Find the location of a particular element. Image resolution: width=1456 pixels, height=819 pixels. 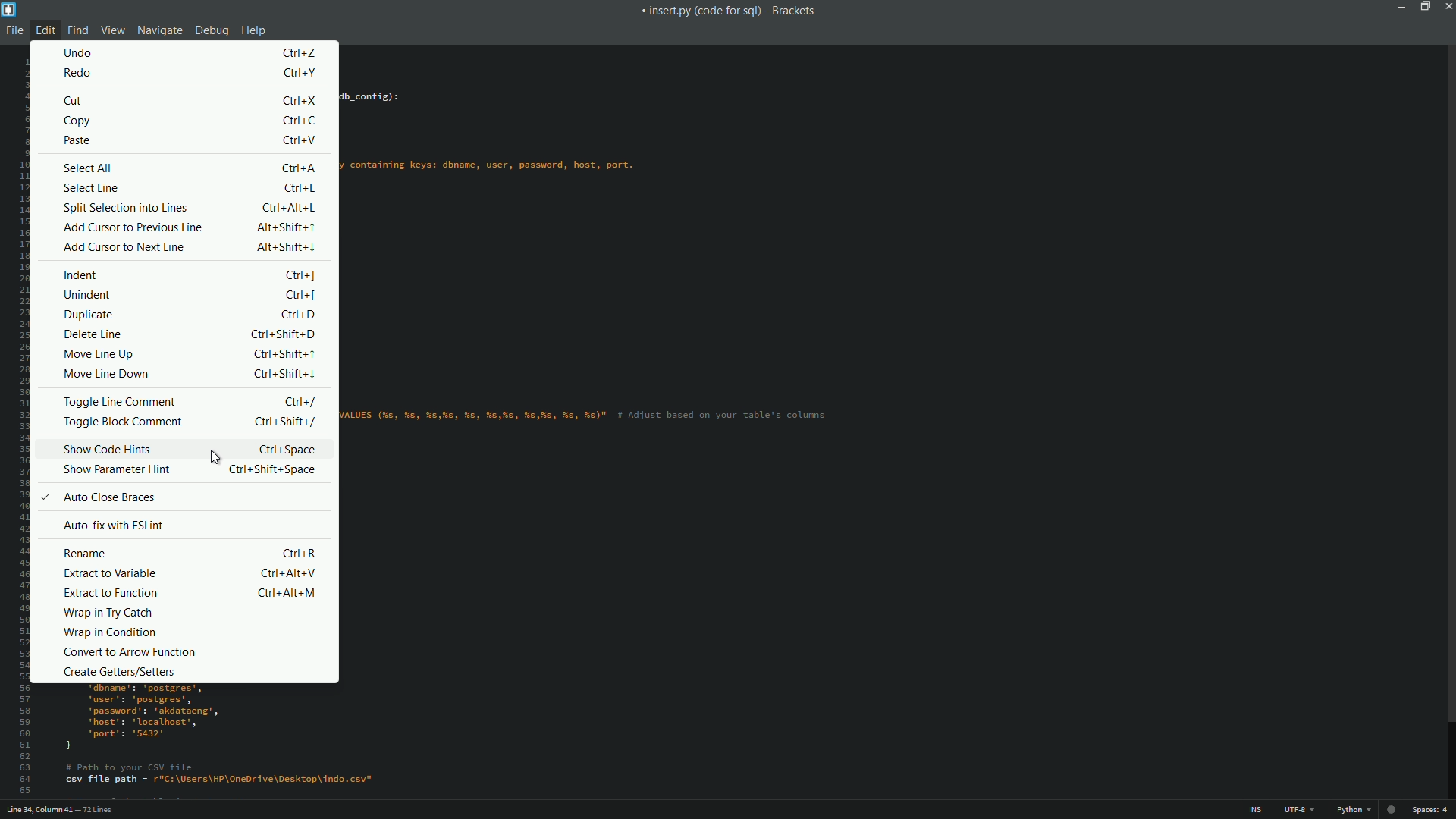

keyboard shortcut is located at coordinates (297, 169).